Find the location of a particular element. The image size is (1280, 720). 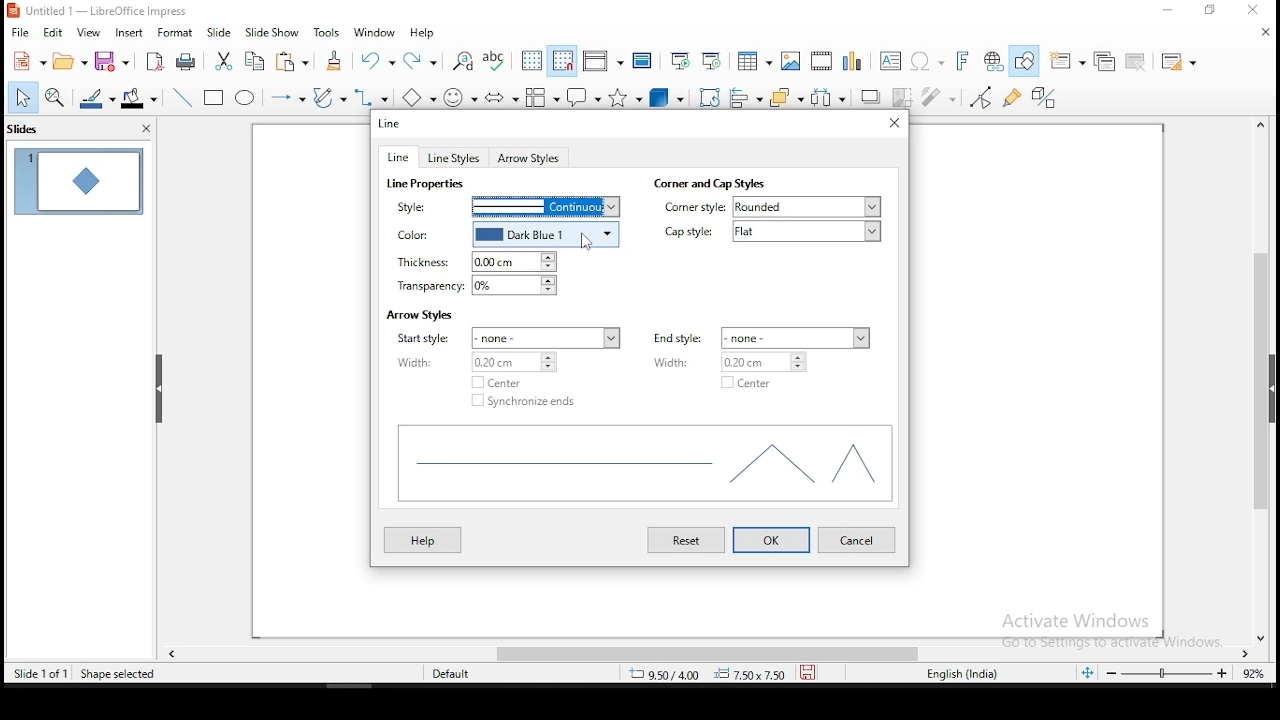

insert is located at coordinates (127, 32).